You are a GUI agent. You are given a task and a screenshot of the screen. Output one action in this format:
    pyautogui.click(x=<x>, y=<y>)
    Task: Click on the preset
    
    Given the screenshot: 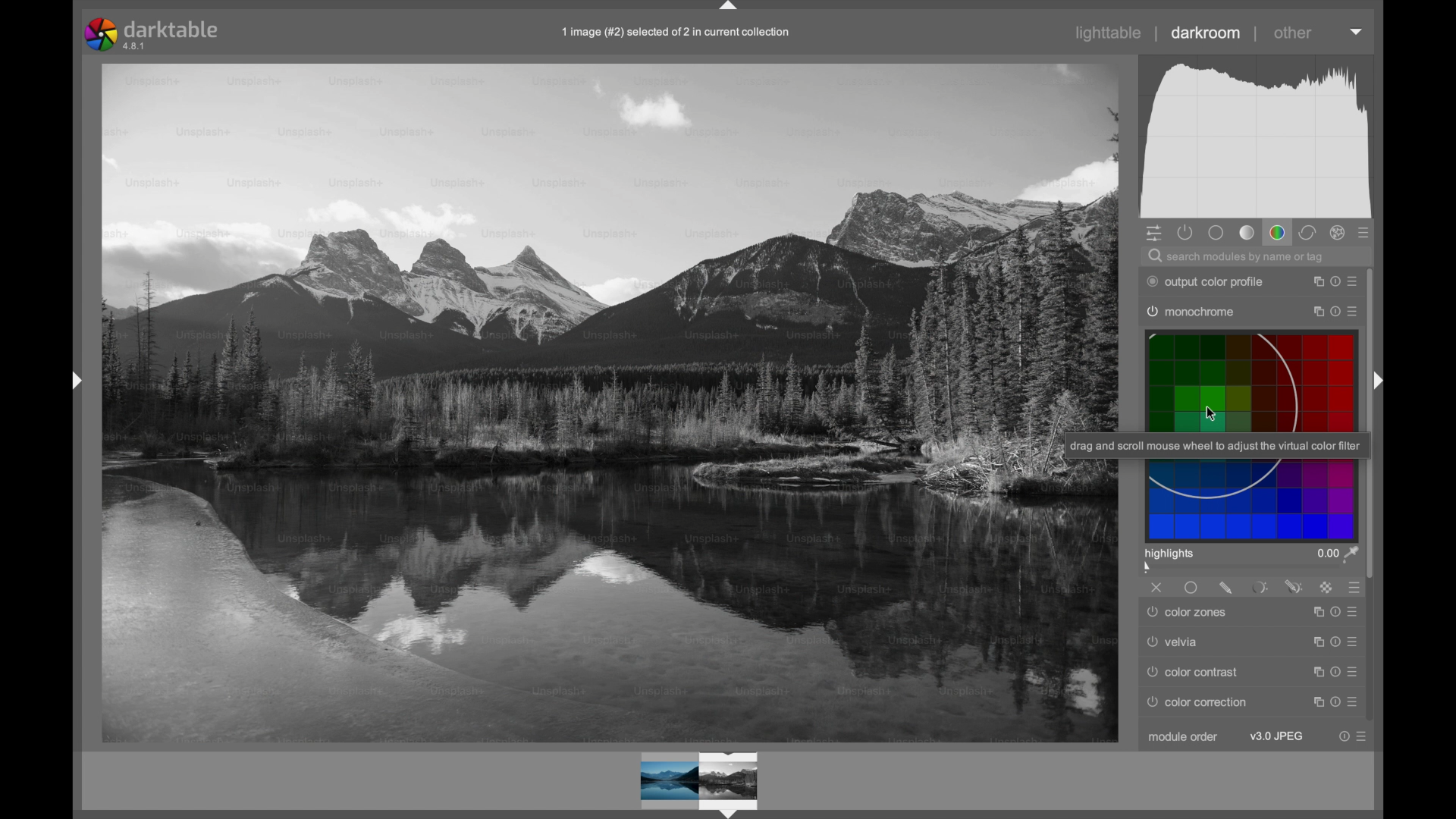 What is the action you would take?
    pyautogui.click(x=1354, y=280)
    